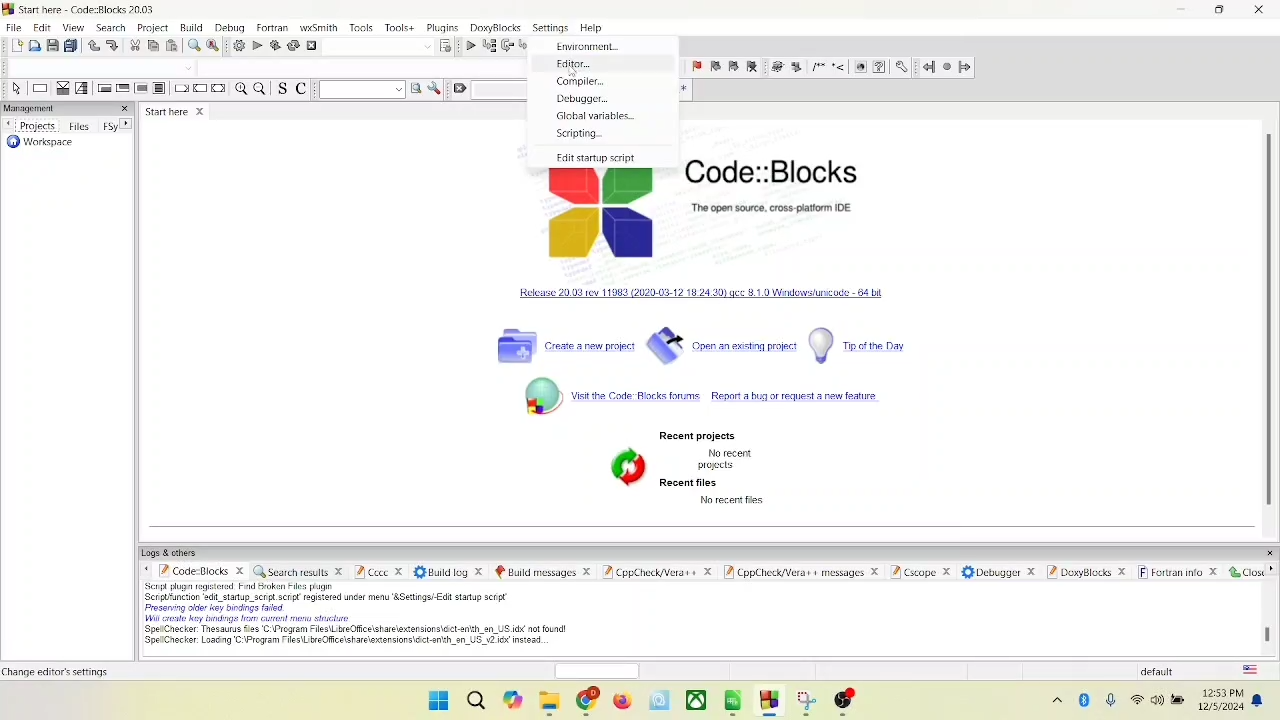 The image size is (1280, 720). I want to click on projects, so click(30, 125).